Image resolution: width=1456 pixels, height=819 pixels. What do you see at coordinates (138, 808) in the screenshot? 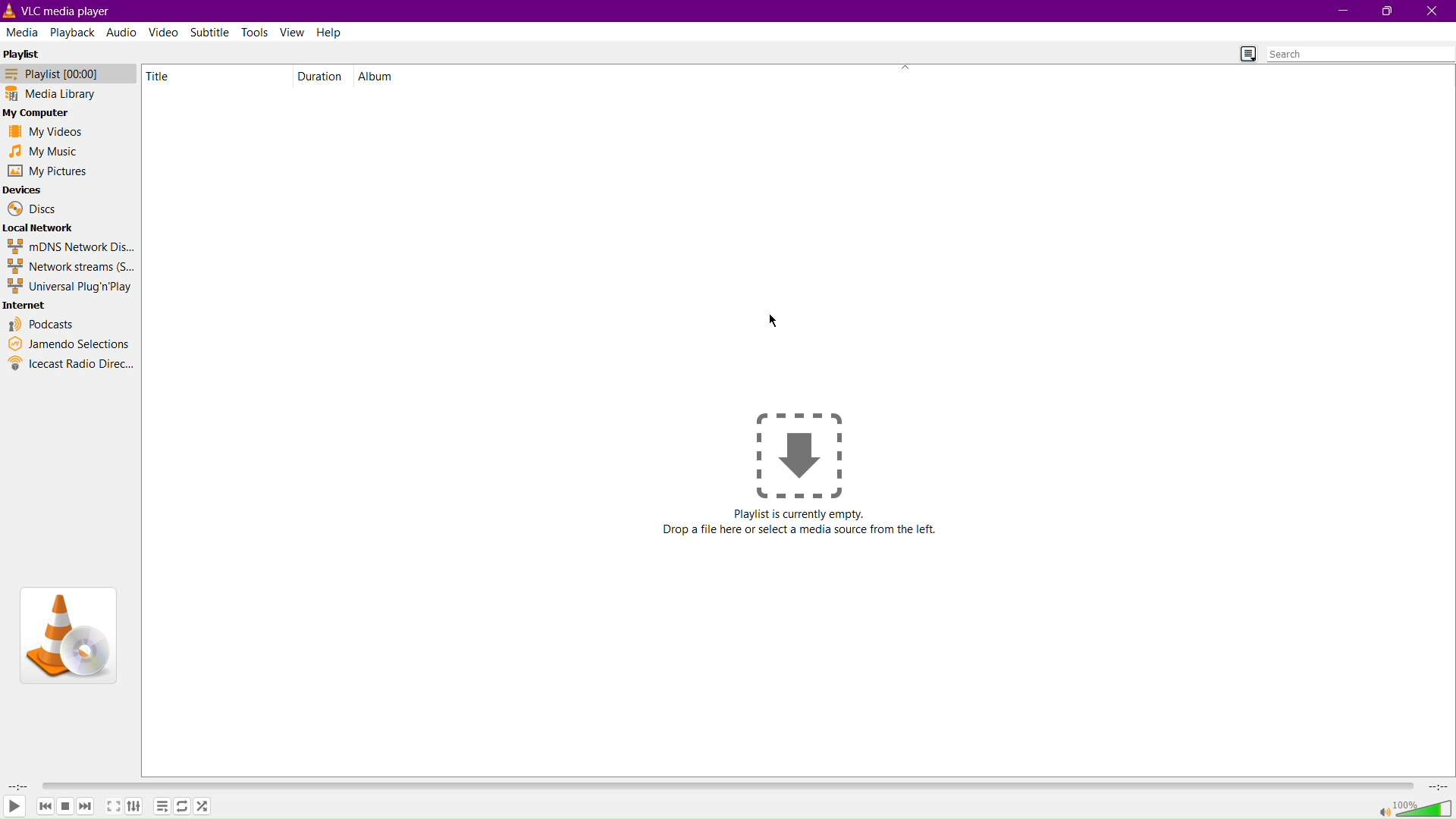
I see `Extended Settings` at bounding box center [138, 808].